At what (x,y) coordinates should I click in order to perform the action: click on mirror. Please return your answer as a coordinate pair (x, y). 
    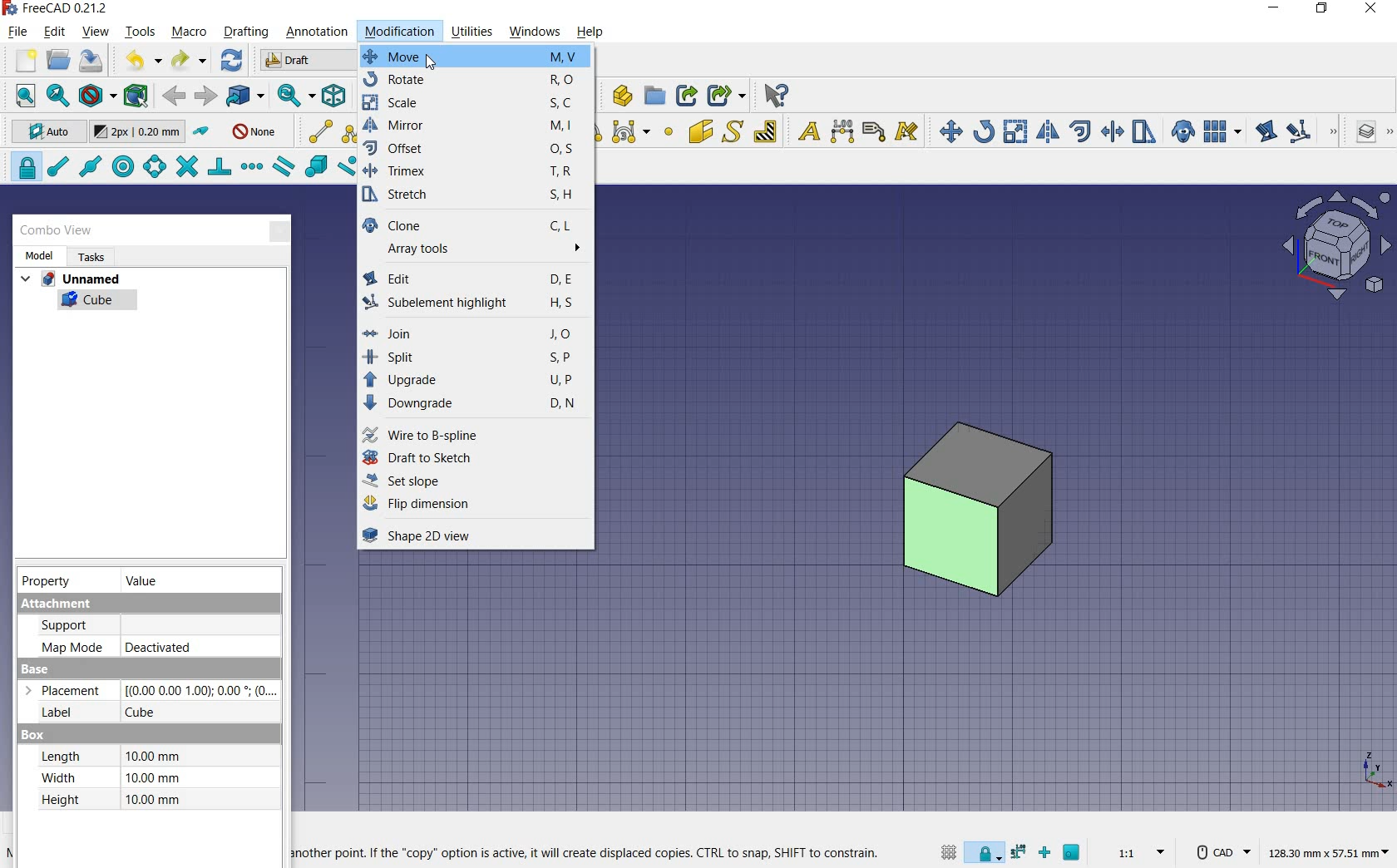
    Looking at the image, I should click on (476, 128).